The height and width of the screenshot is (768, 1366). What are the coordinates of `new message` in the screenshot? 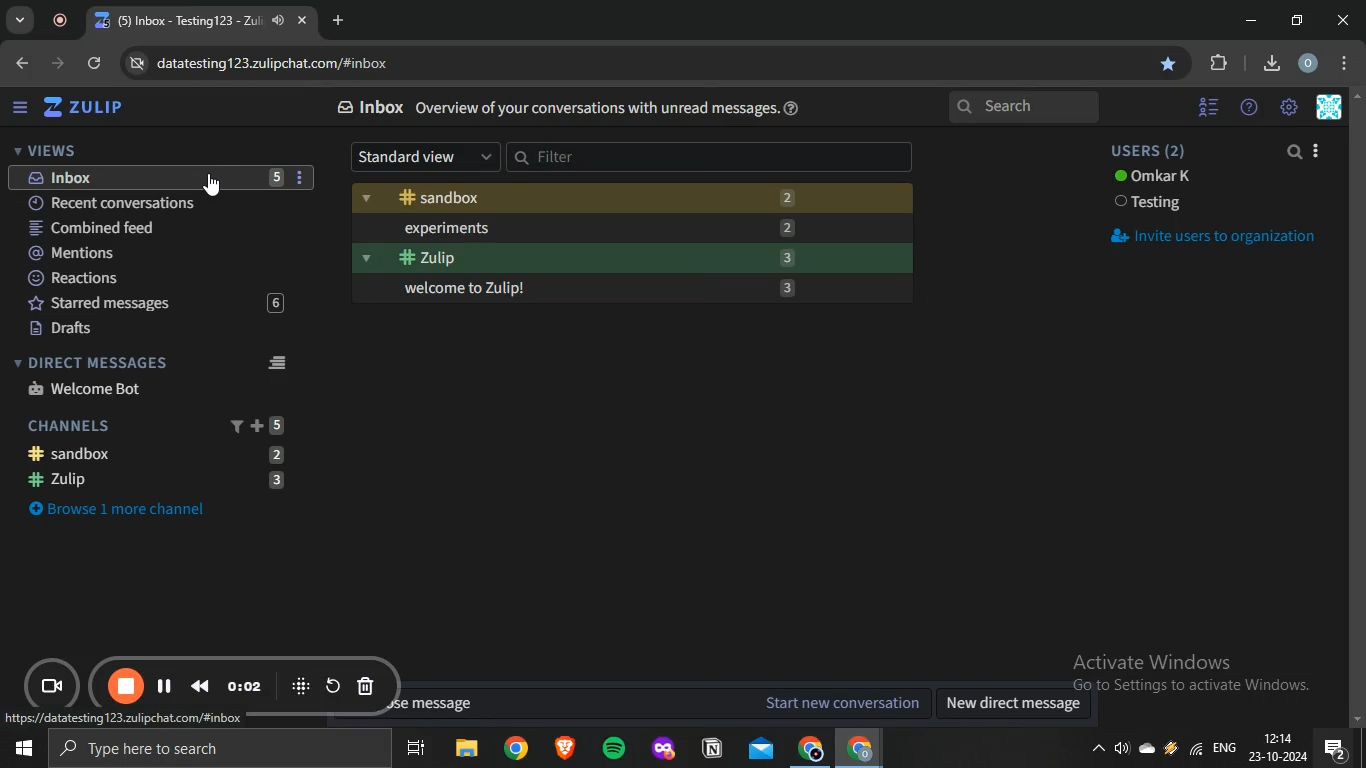 It's located at (657, 703).